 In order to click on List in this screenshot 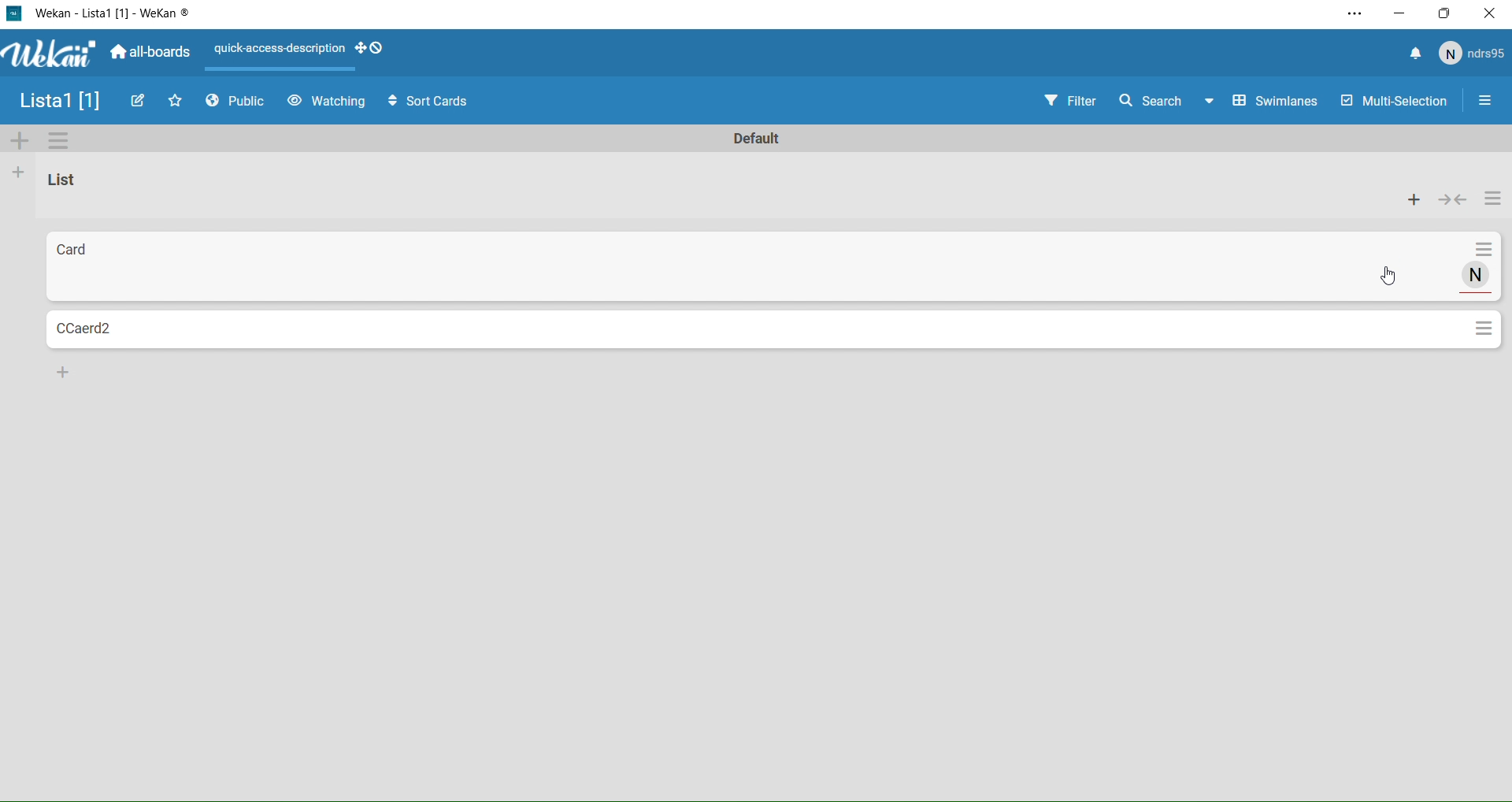, I will do `click(71, 182)`.